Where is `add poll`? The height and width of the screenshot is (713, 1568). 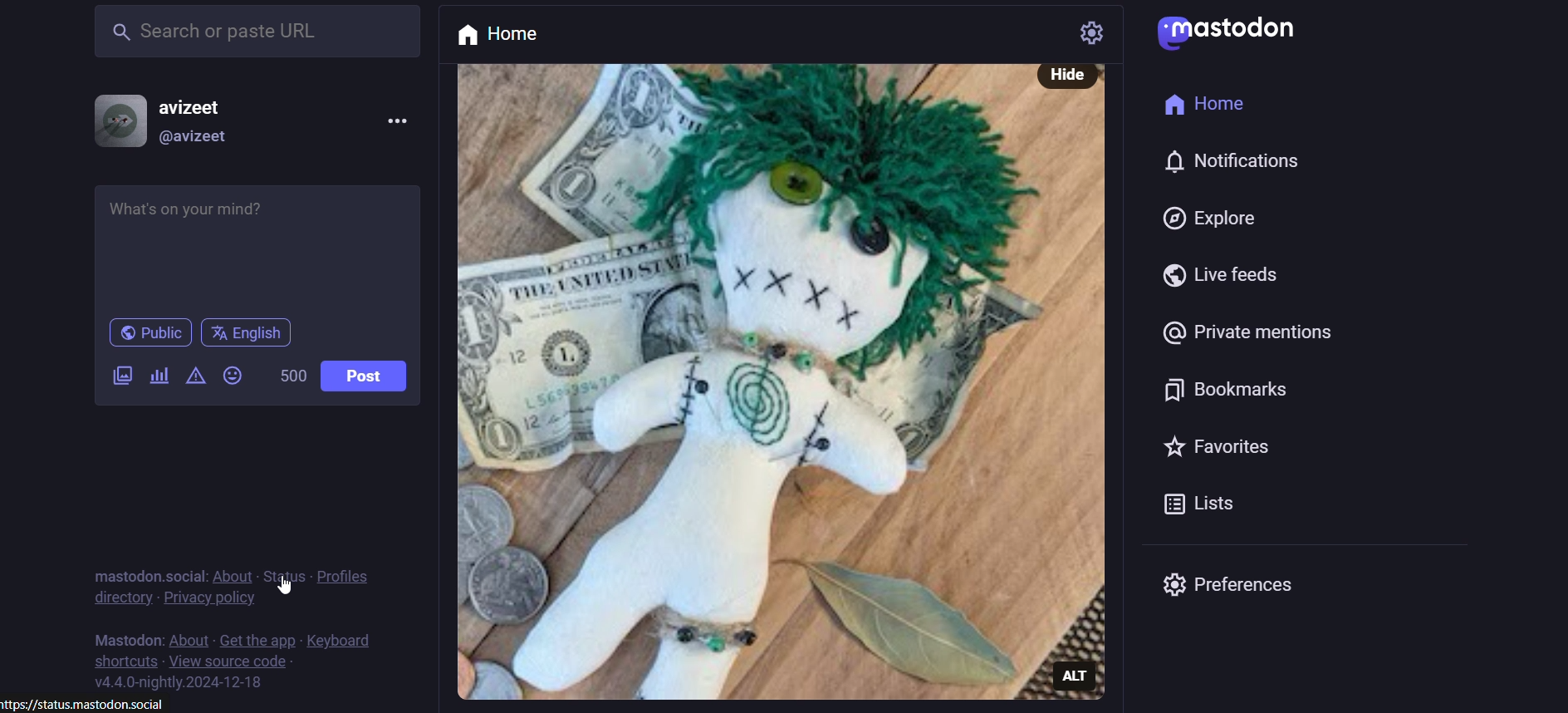
add poll is located at coordinates (158, 376).